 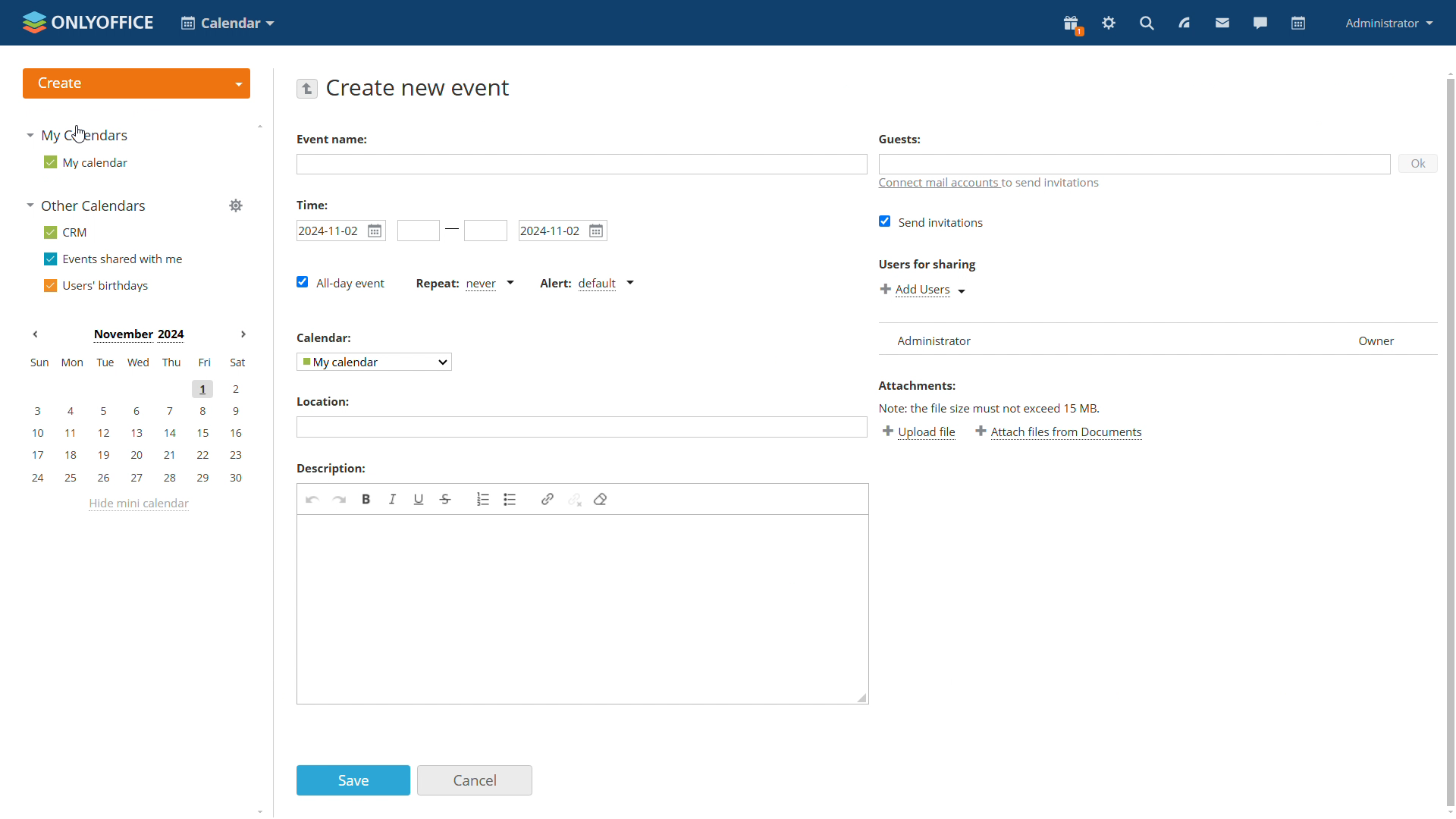 What do you see at coordinates (548, 499) in the screenshot?
I see `link` at bounding box center [548, 499].